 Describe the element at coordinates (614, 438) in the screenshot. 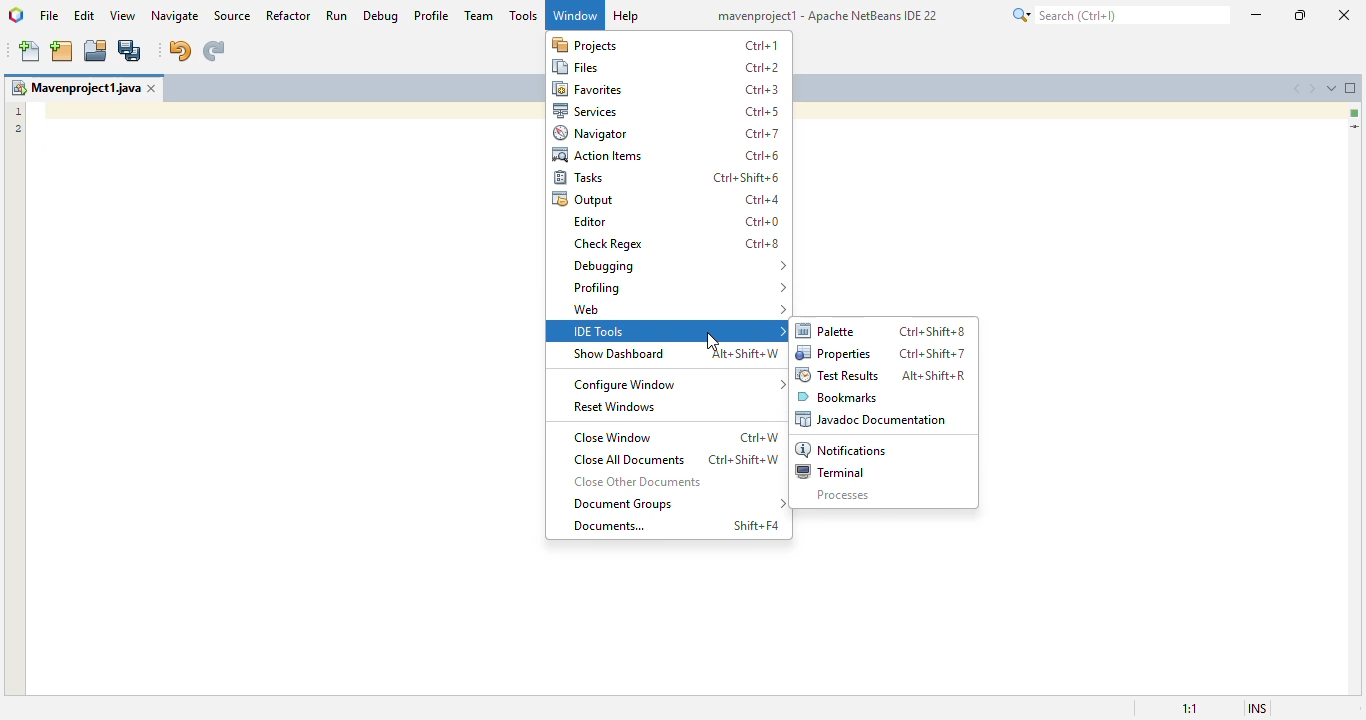

I see `close window` at that location.